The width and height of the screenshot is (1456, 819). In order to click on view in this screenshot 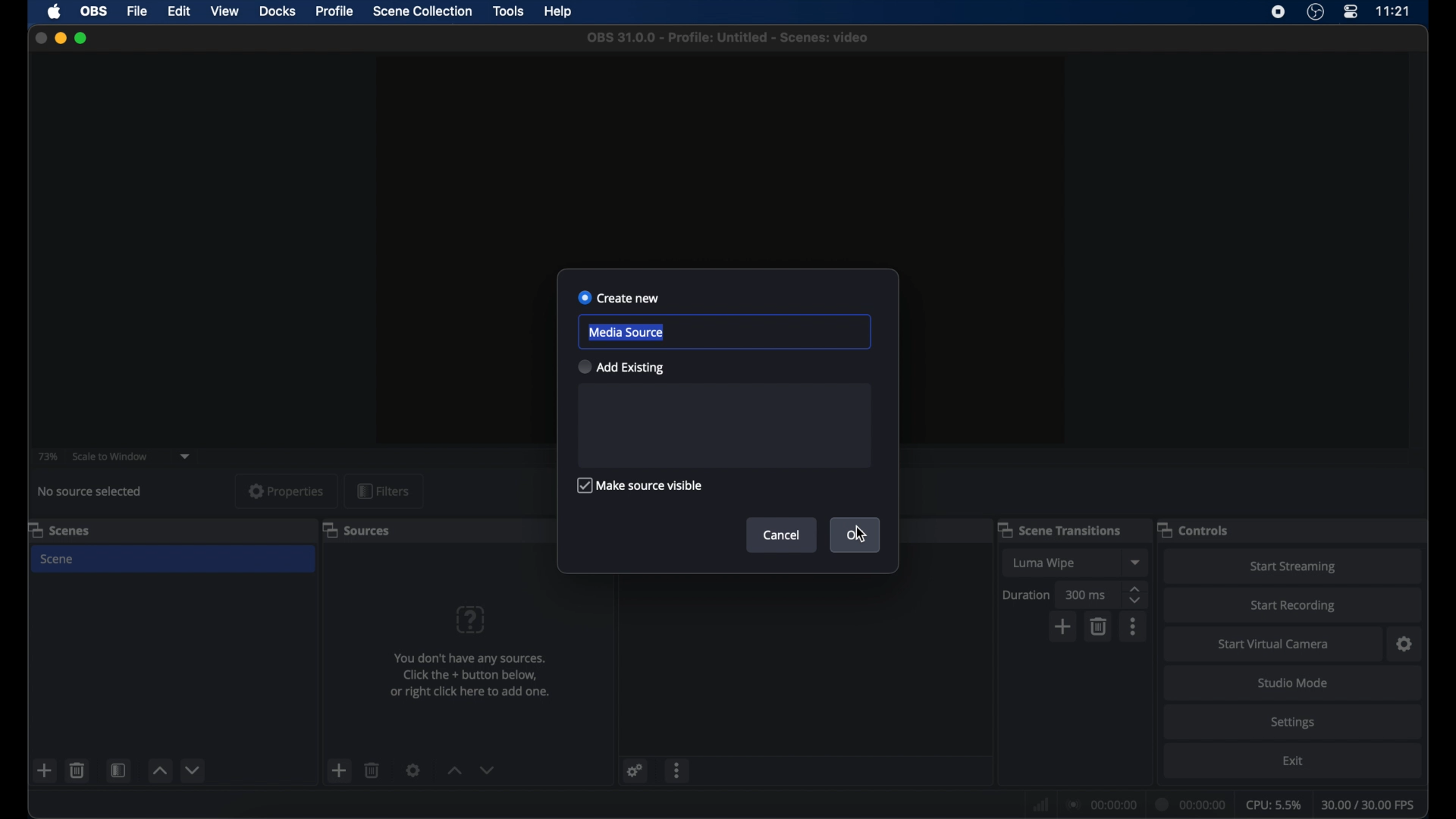, I will do `click(224, 10)`.